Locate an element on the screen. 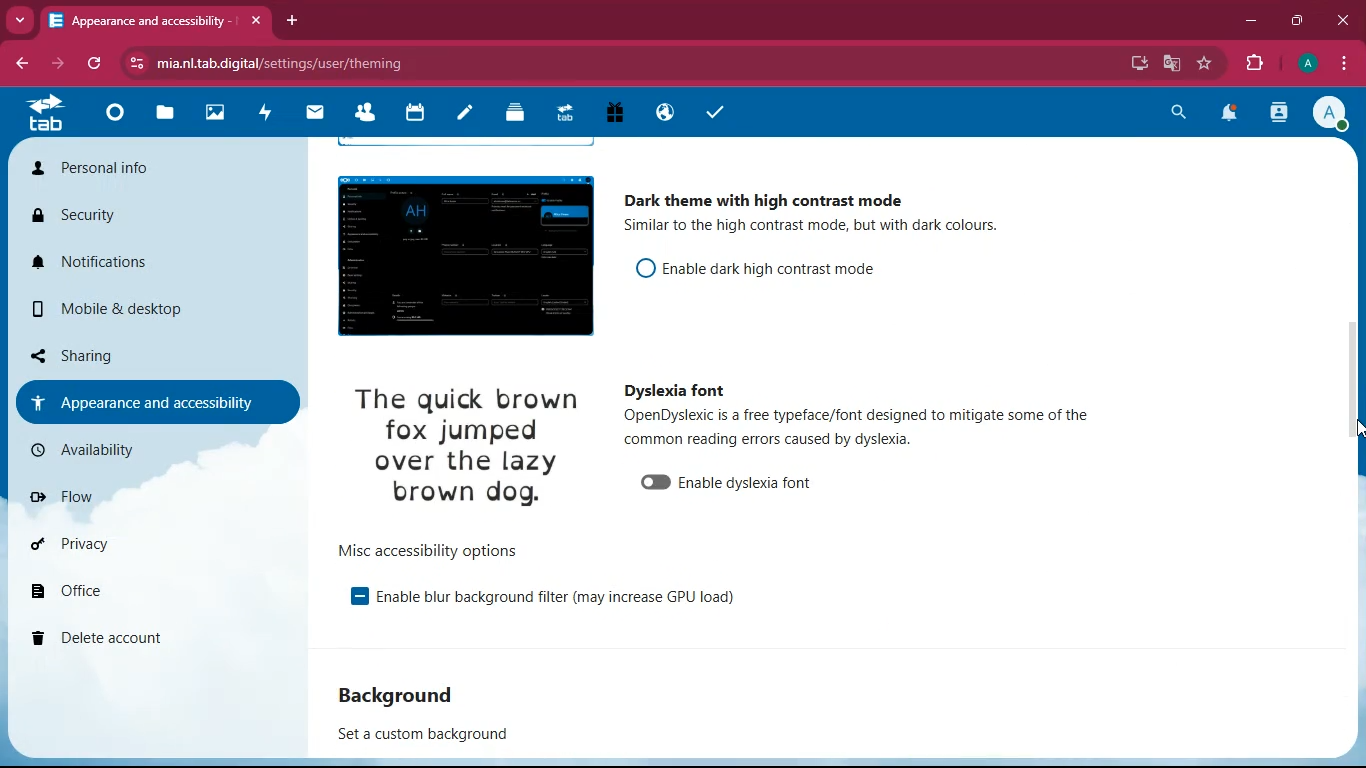 The height and width of the screenshot is (768, 1366). background is located at coordinates (401, 698).